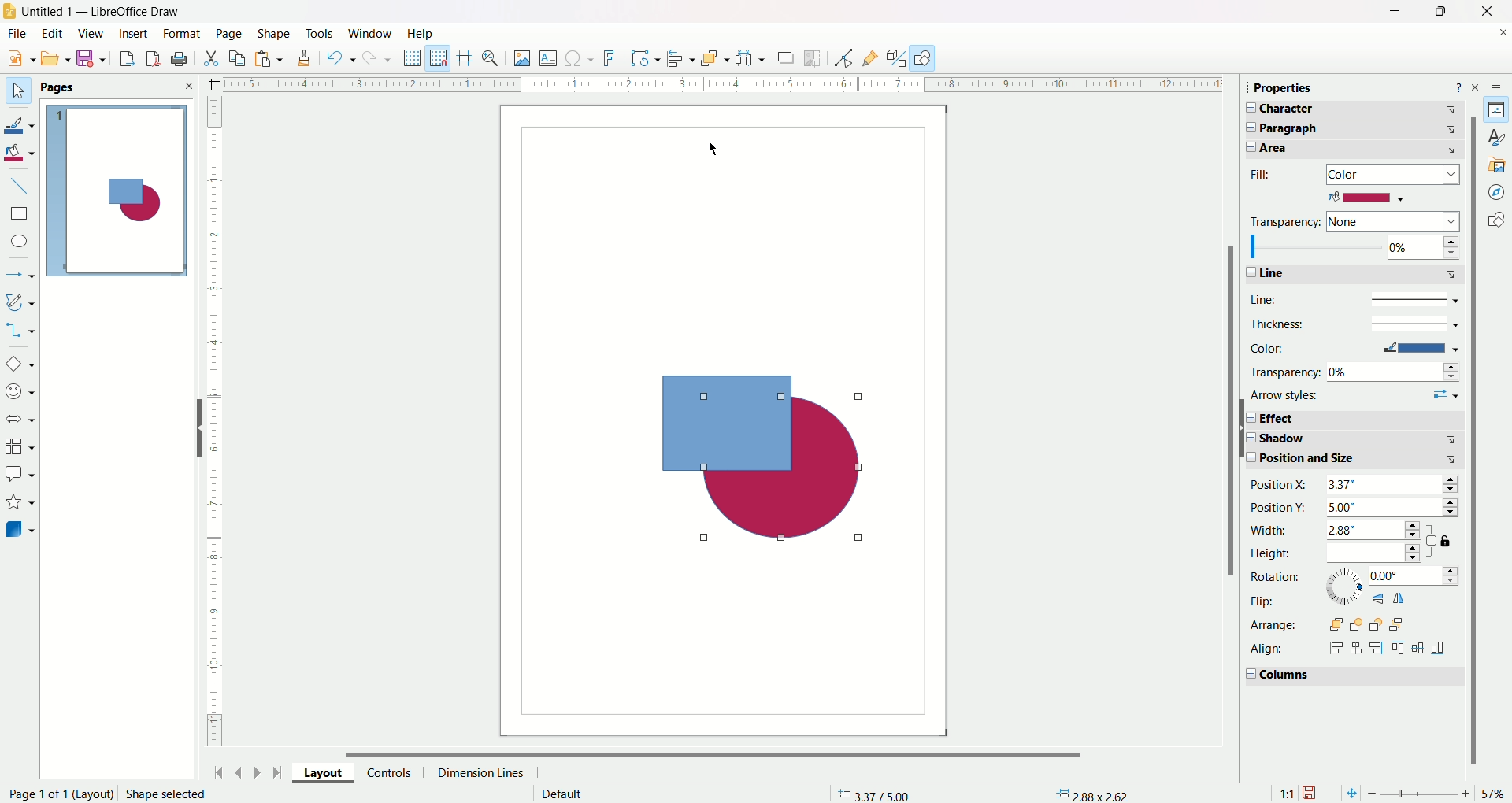  I want to click on scaling factor, so click(1283, 792).